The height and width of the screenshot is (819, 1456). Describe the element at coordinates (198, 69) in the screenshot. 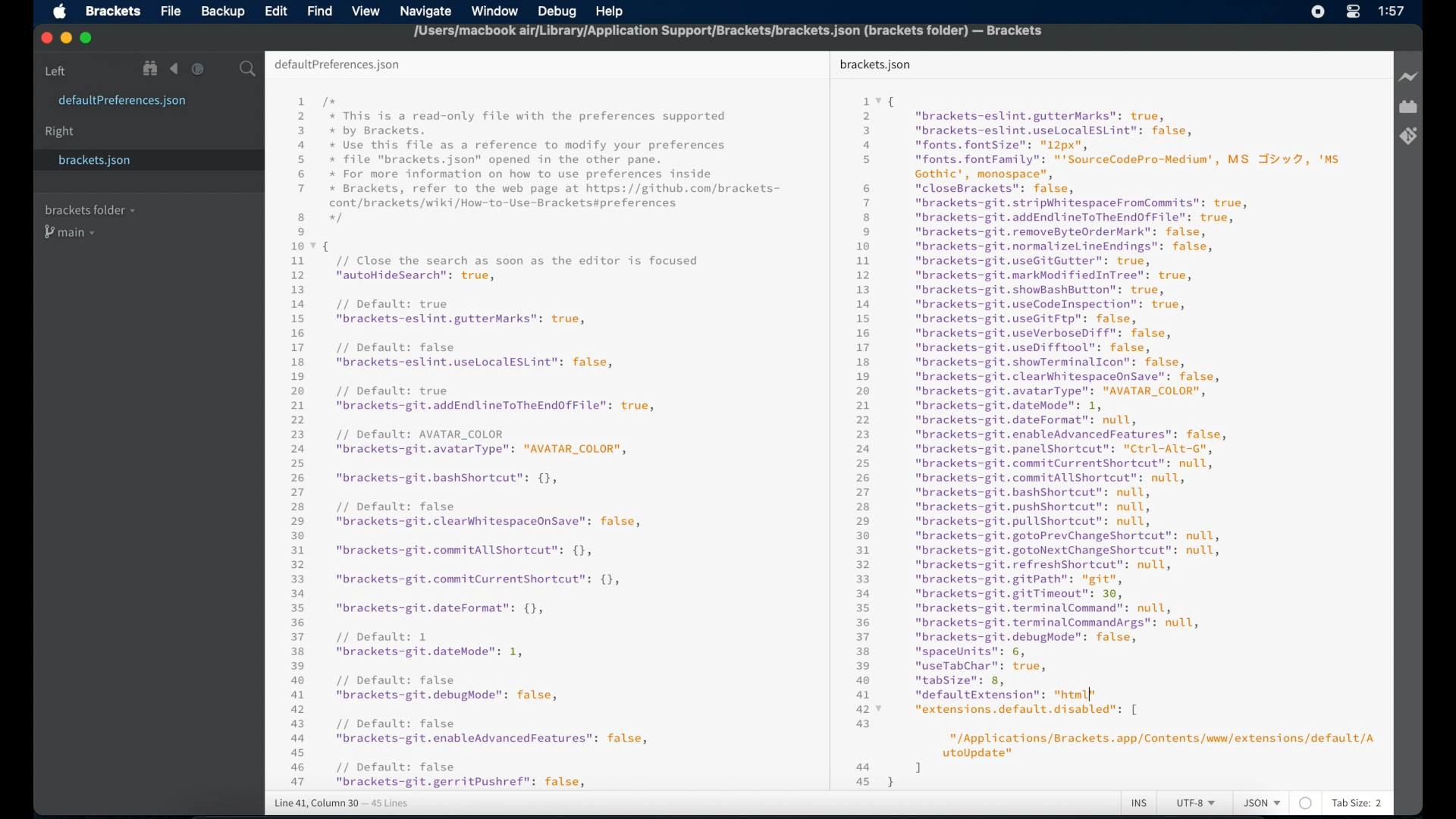

I see `navigate forward` at that location.